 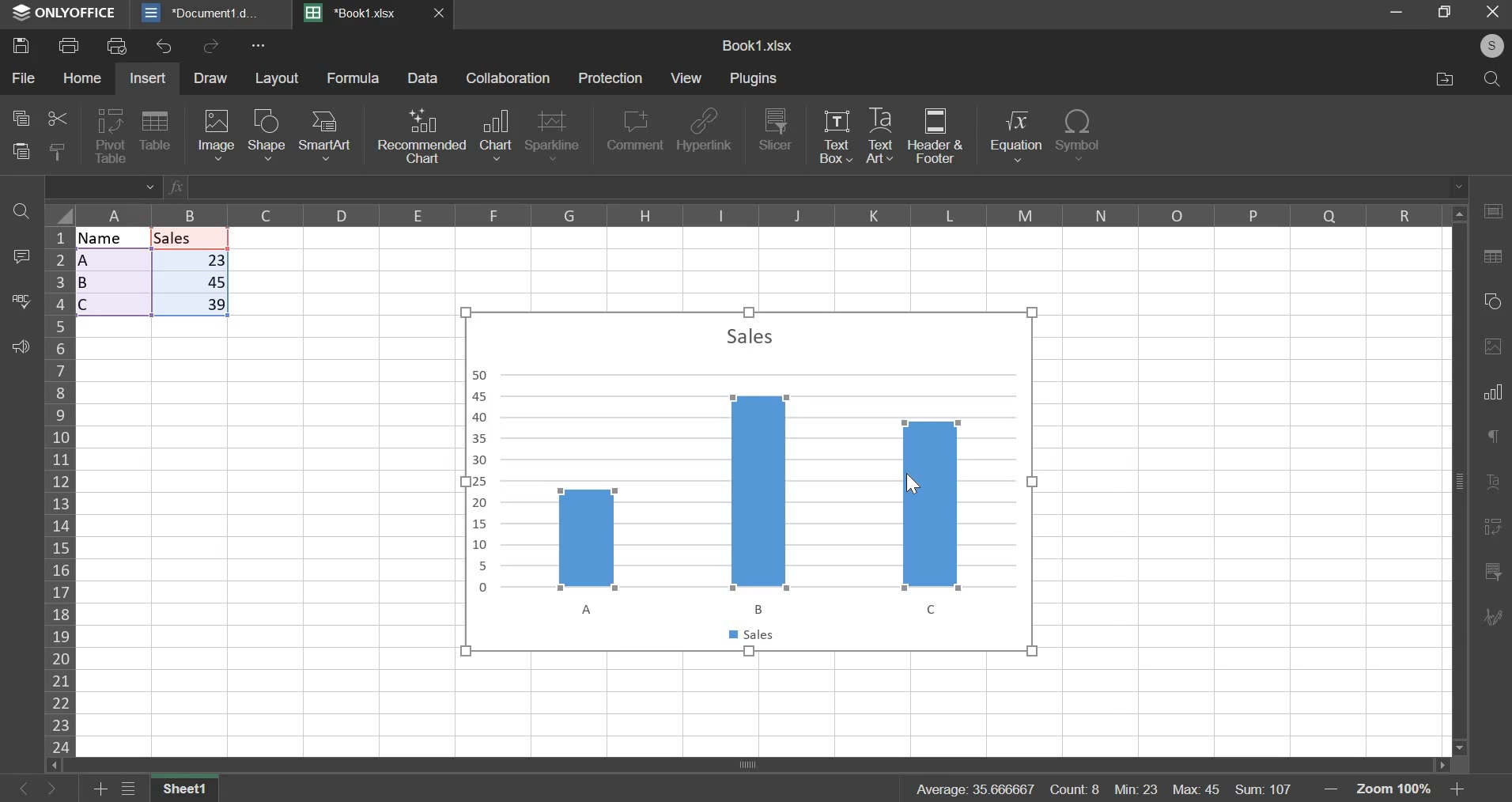 What do you see at coordinates (756, 46) in the screenshot?
I see `sheet name` at bounding box center [756, 46].